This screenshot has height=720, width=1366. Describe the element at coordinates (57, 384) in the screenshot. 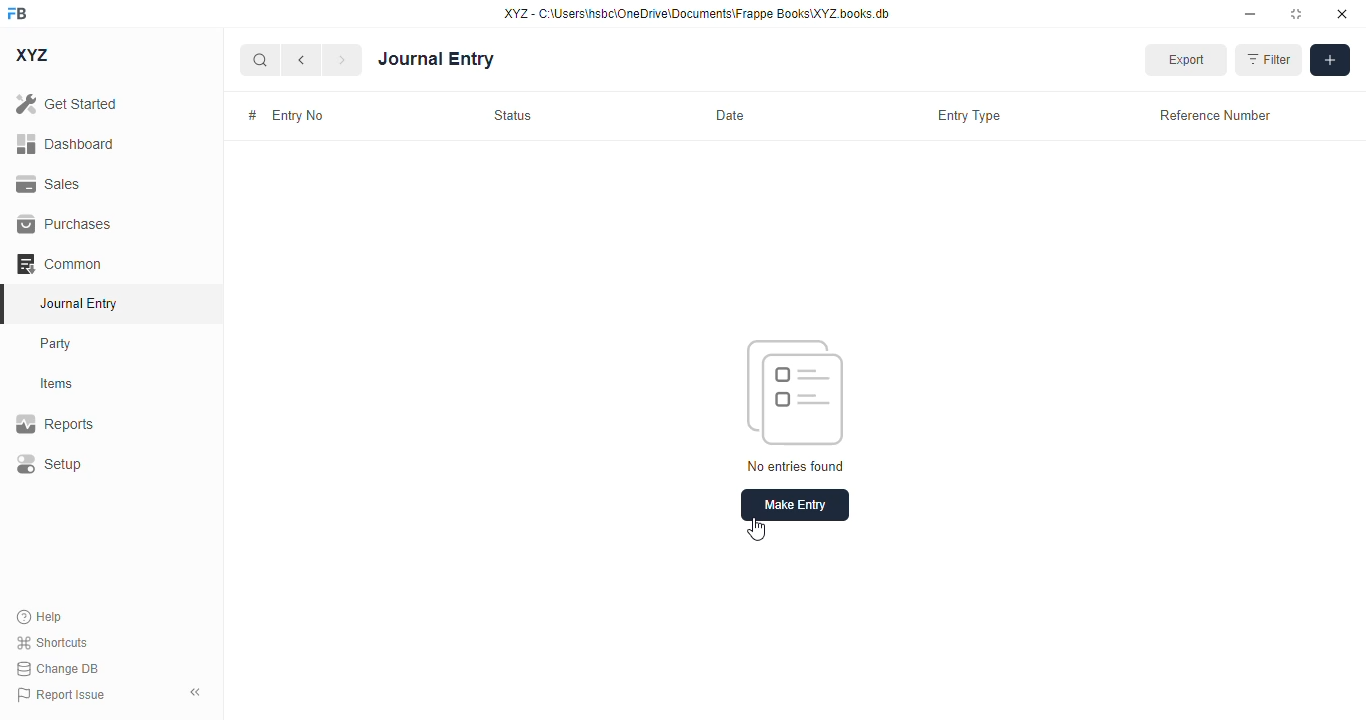

I see `items` at that location.